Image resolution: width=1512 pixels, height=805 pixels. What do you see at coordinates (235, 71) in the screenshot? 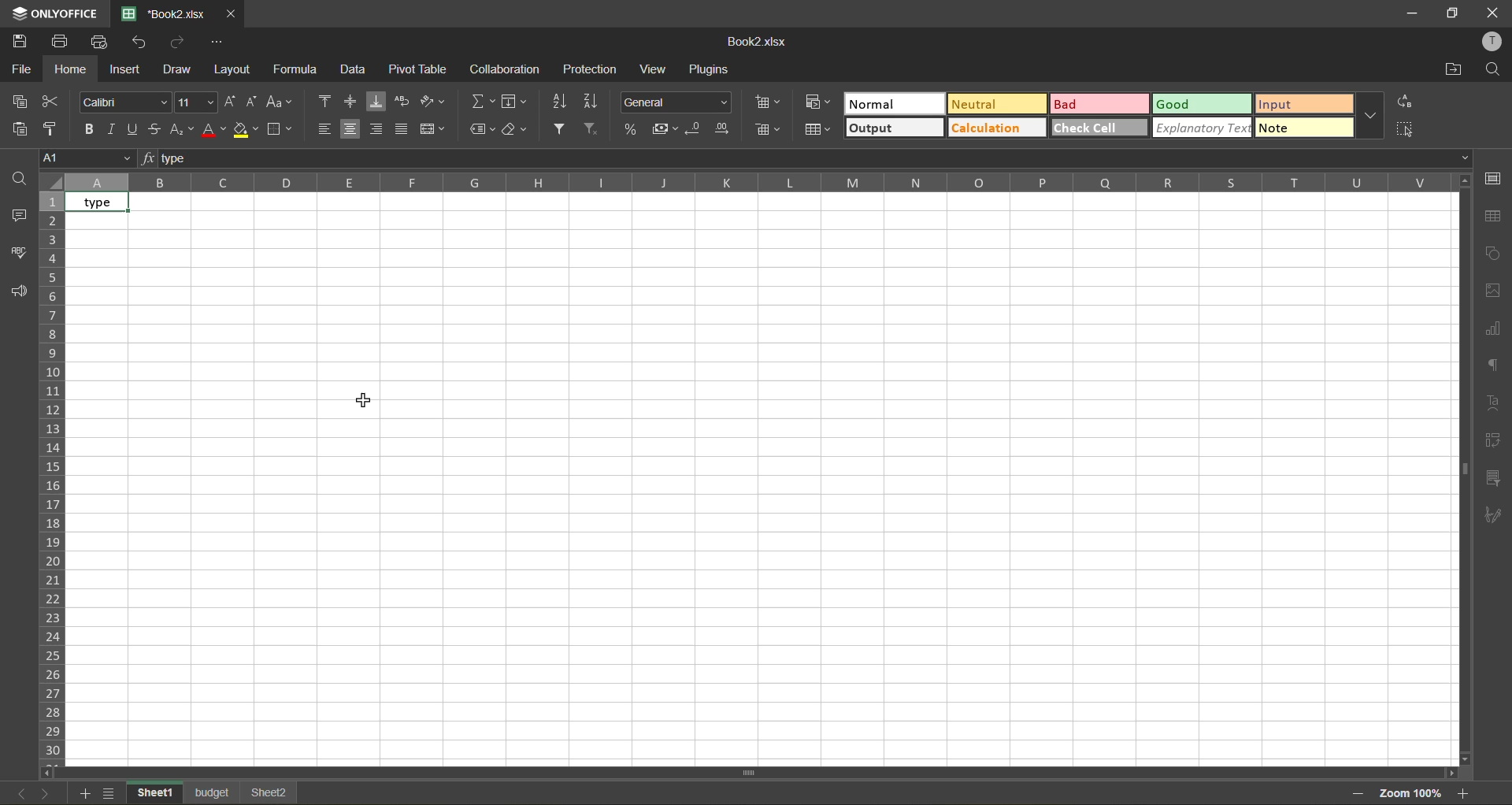
I see `layout` at bounding box center [235, 71].